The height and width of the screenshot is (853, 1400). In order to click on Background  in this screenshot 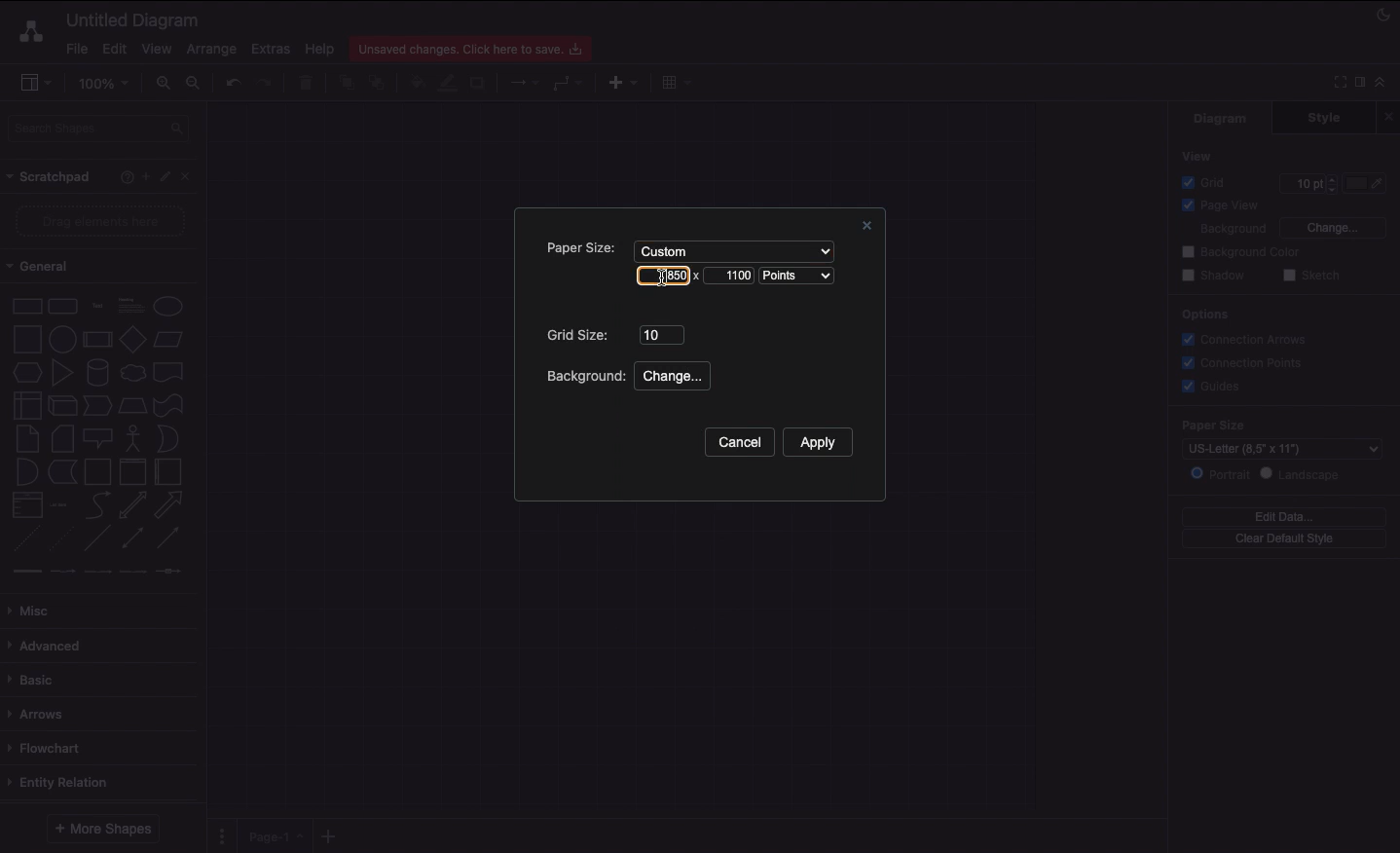, I will do `click(1221, 230)`.